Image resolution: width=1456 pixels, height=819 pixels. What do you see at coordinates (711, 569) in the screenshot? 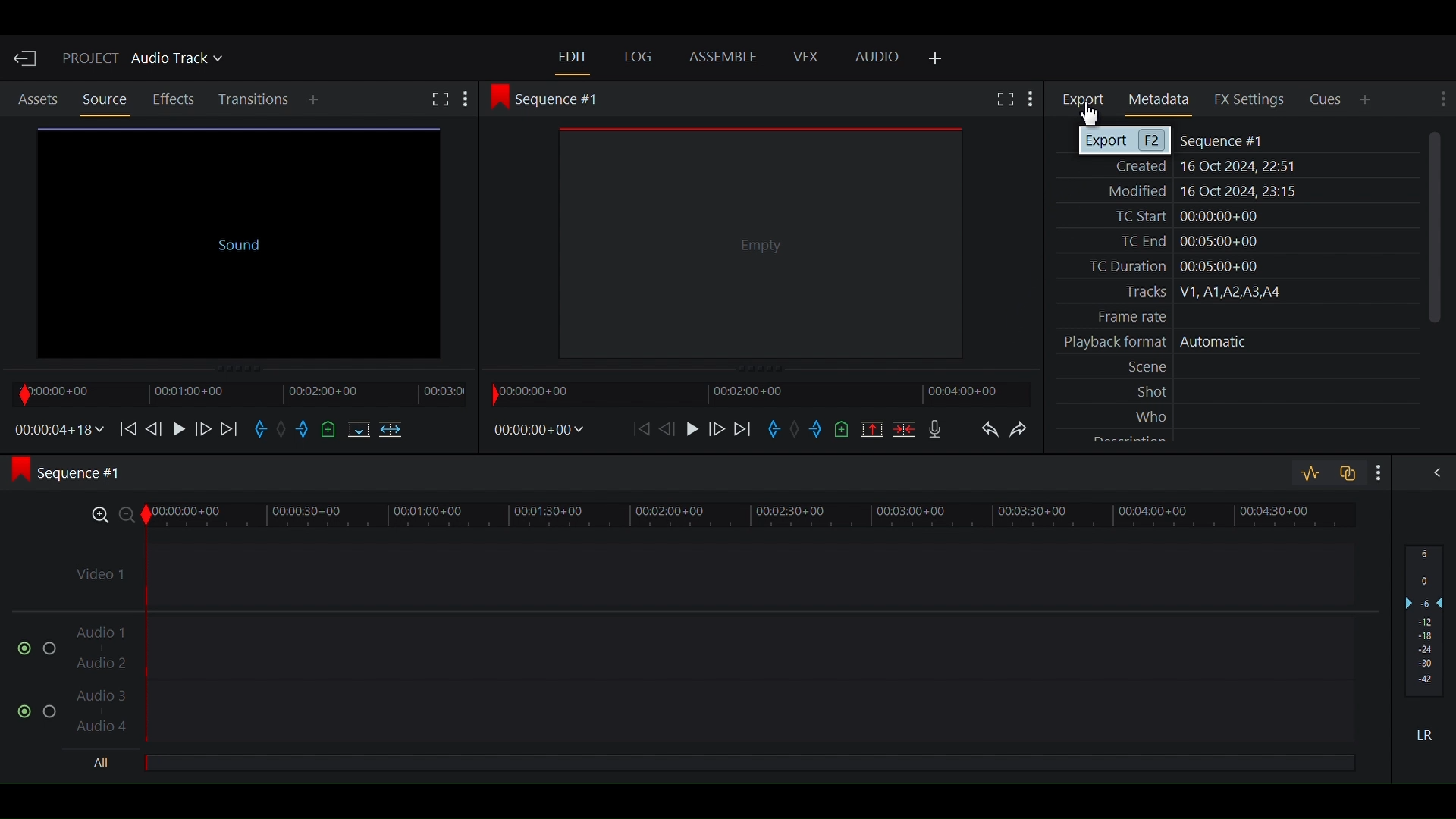
I see `Video Track` at bounding box center [711, 569].